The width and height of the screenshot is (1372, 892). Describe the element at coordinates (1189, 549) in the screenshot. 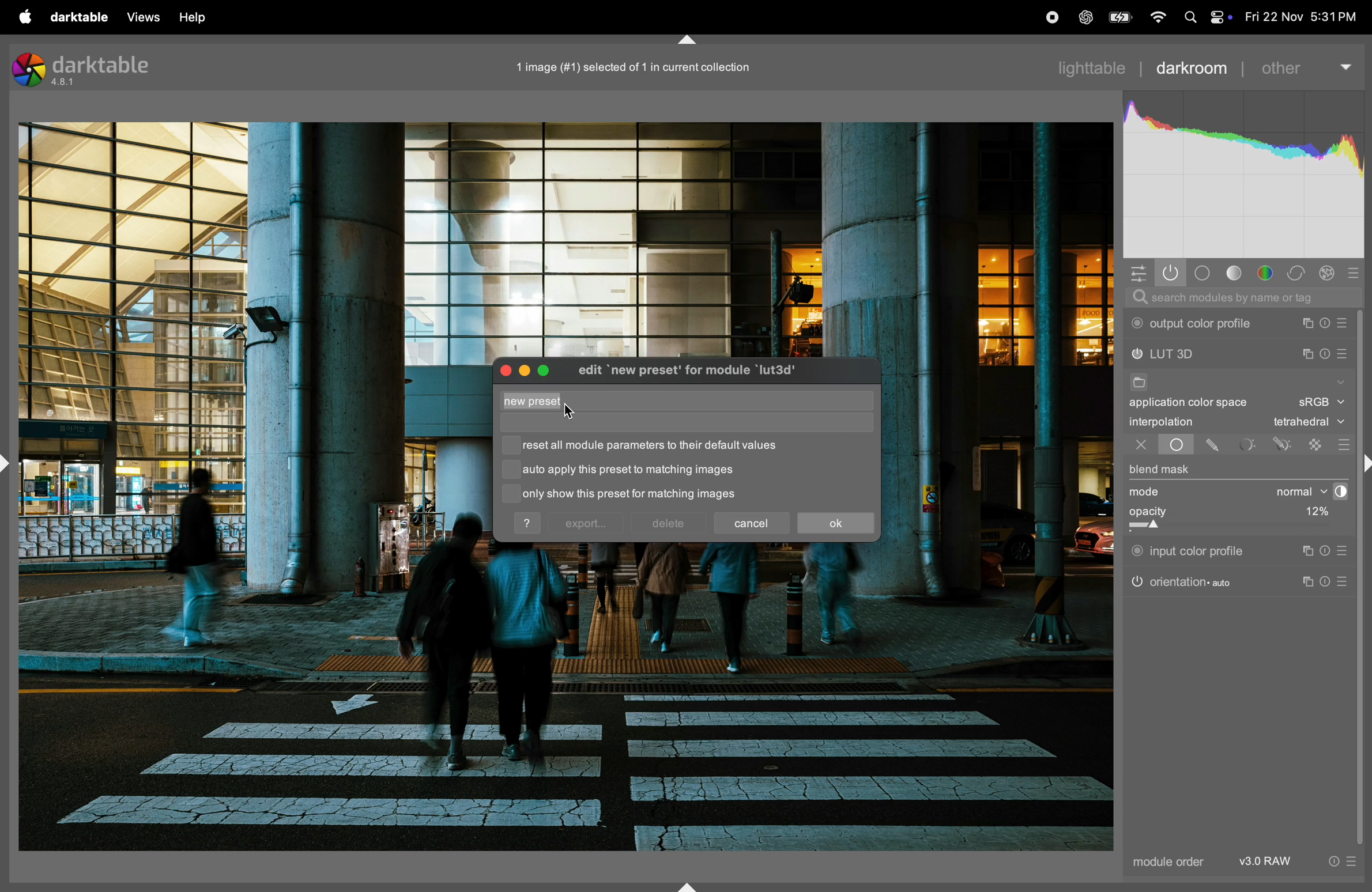

I see `input color profile` at that location.